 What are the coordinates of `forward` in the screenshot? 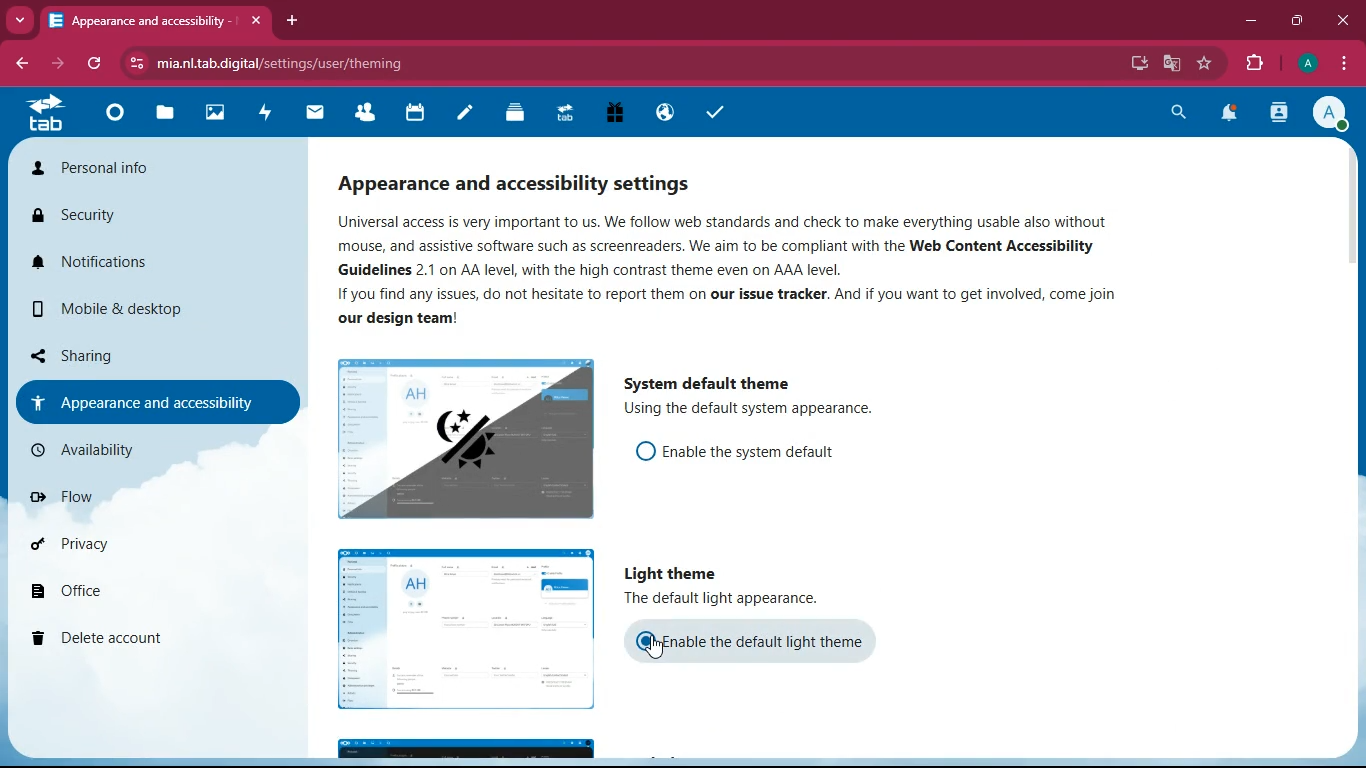 It's located at (61, 64).